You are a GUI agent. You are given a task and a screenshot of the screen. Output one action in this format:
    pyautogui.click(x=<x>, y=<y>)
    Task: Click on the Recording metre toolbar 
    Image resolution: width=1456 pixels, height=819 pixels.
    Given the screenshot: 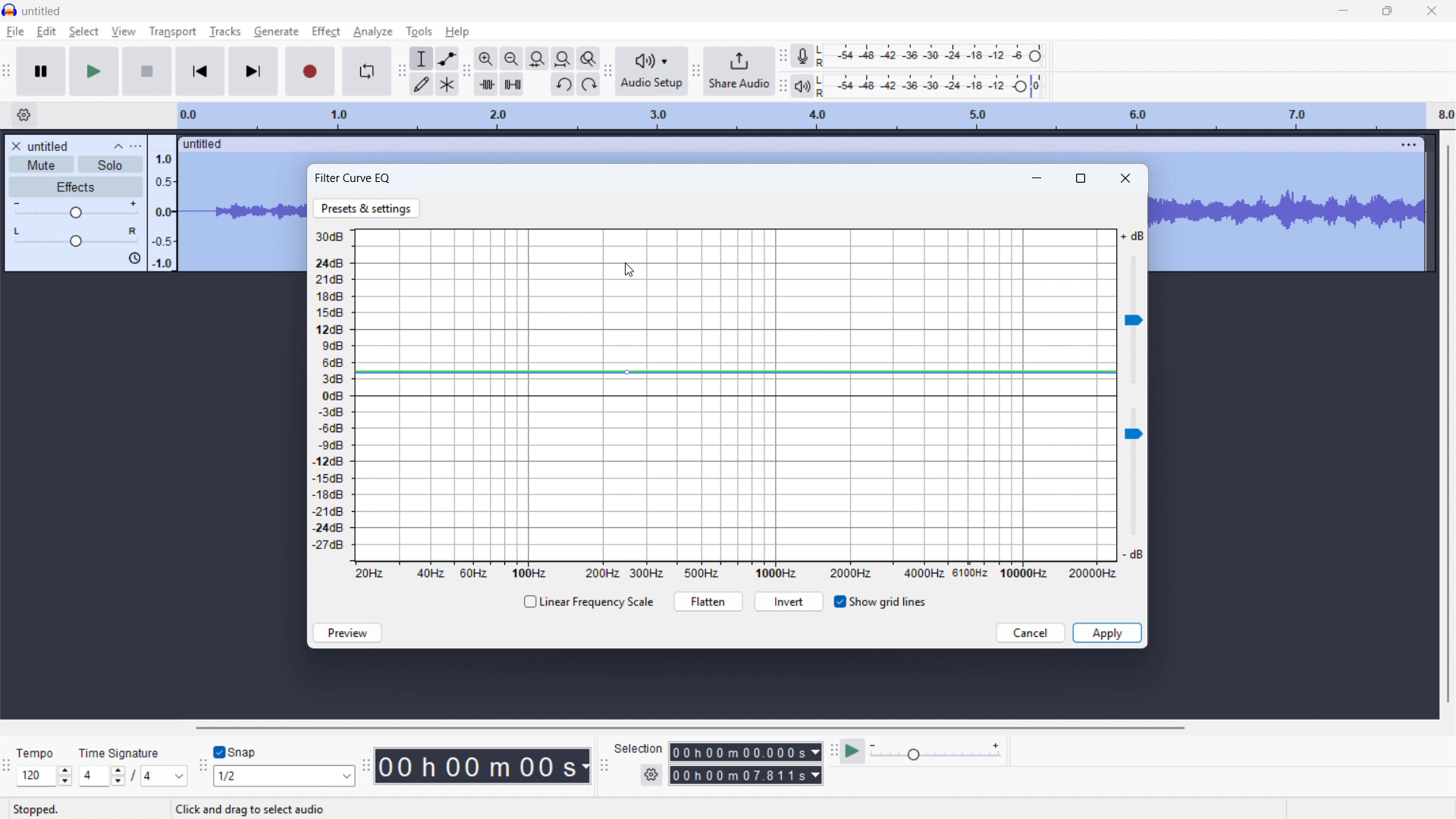 What is the action you would take?
    pyautogui.click(x=783, y=55)
    